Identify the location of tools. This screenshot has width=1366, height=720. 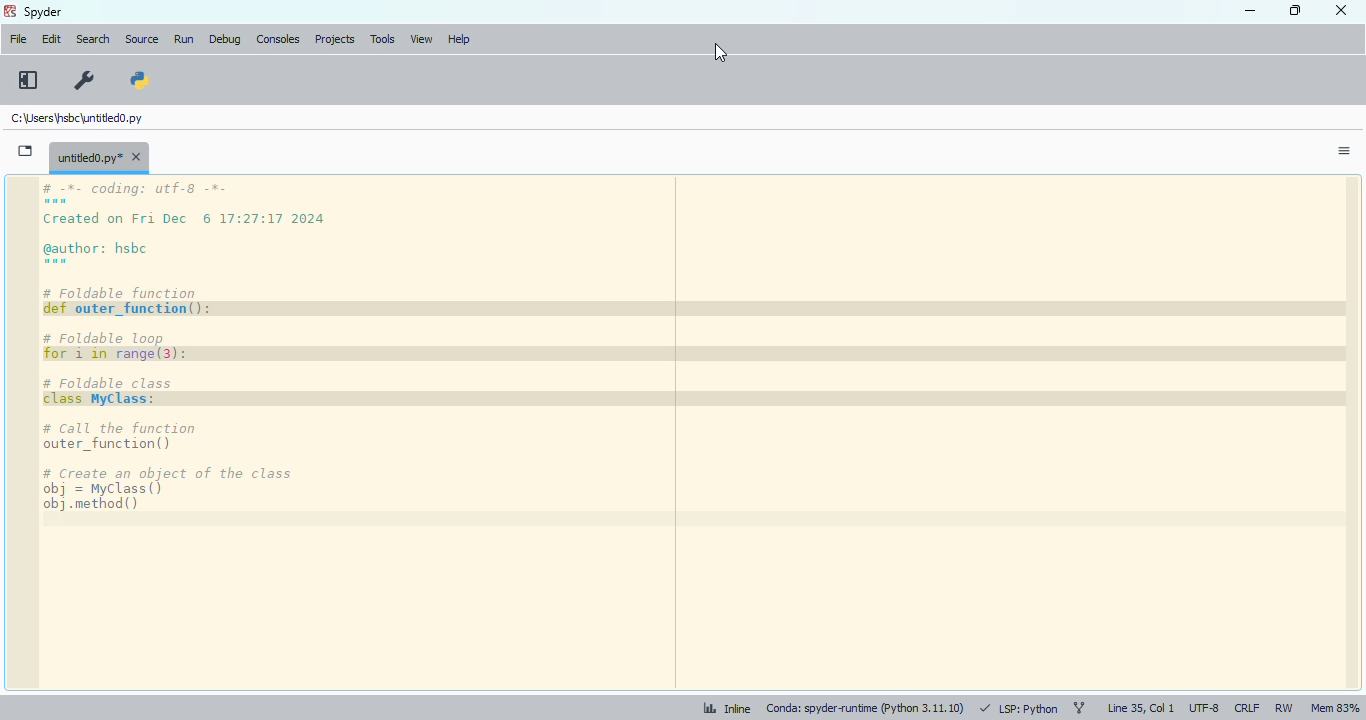
(382, 39).